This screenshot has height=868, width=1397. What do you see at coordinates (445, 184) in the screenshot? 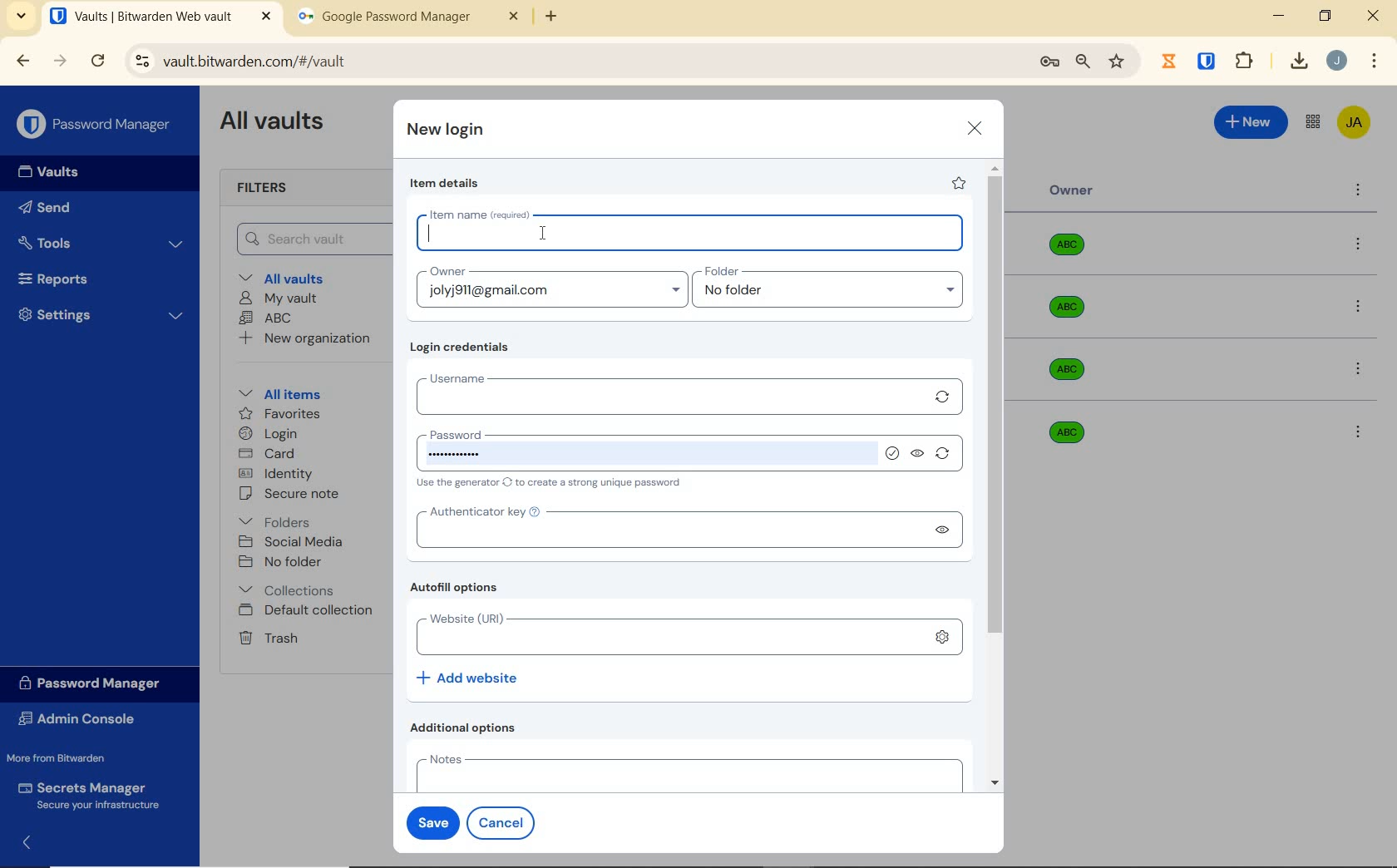
I see `item details` at bounding box center [445, 184].